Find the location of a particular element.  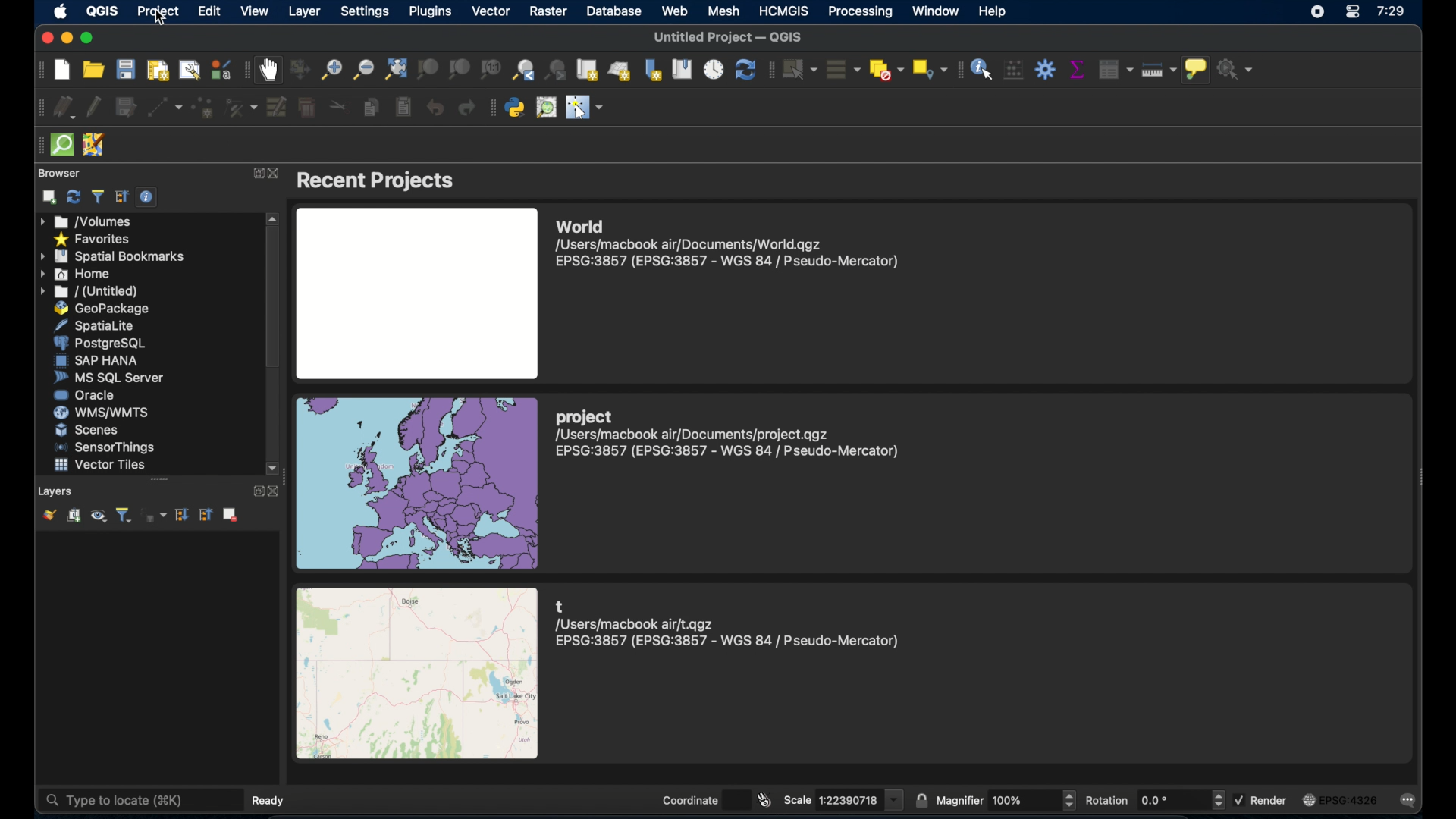

home is located at coordinates (78, 274).